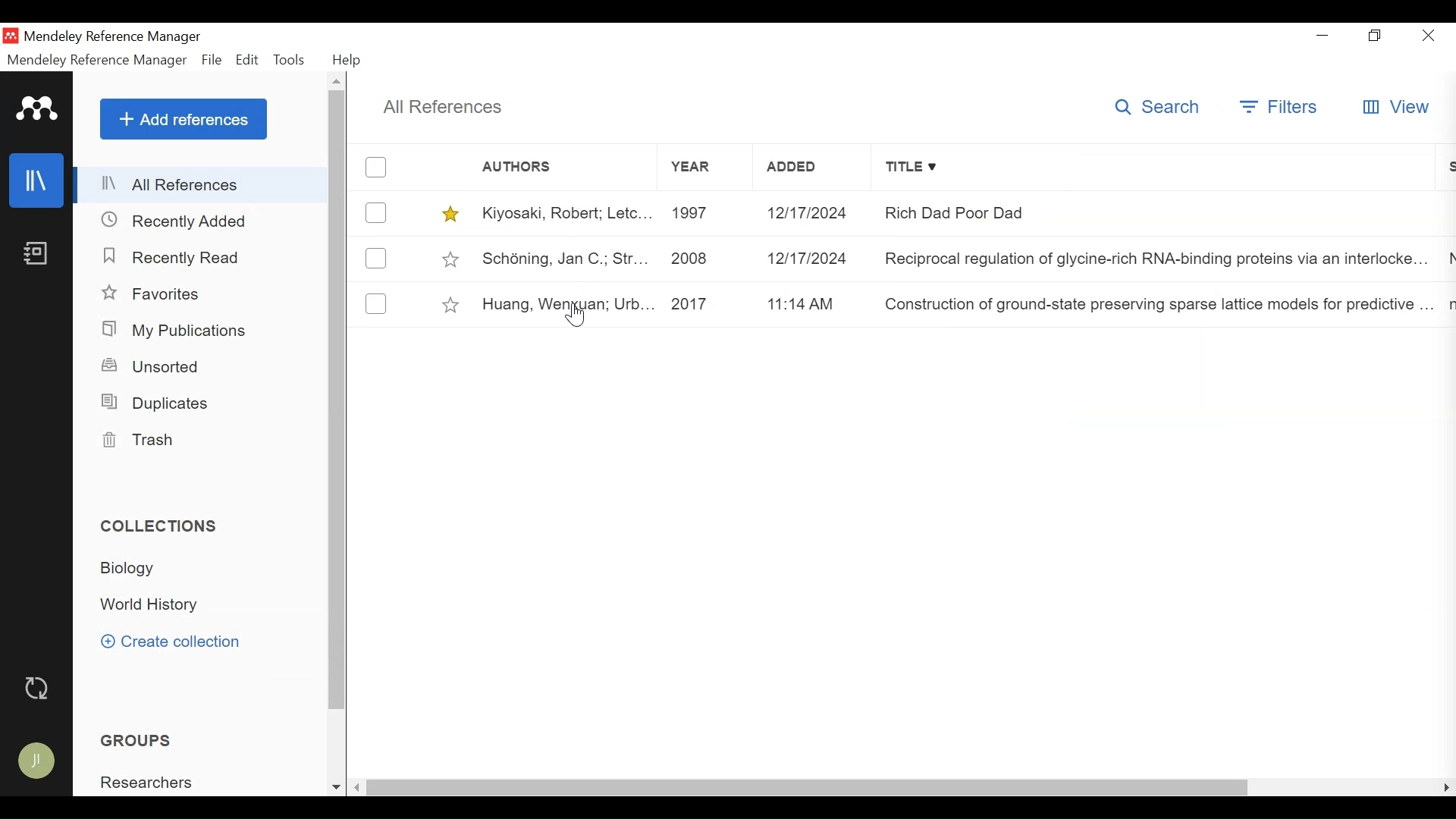 The height and width of the screenshot is (819, 1456). Describe the element at coordinates (377, 258) in the screenshot. I see `(un)select ` at that location.